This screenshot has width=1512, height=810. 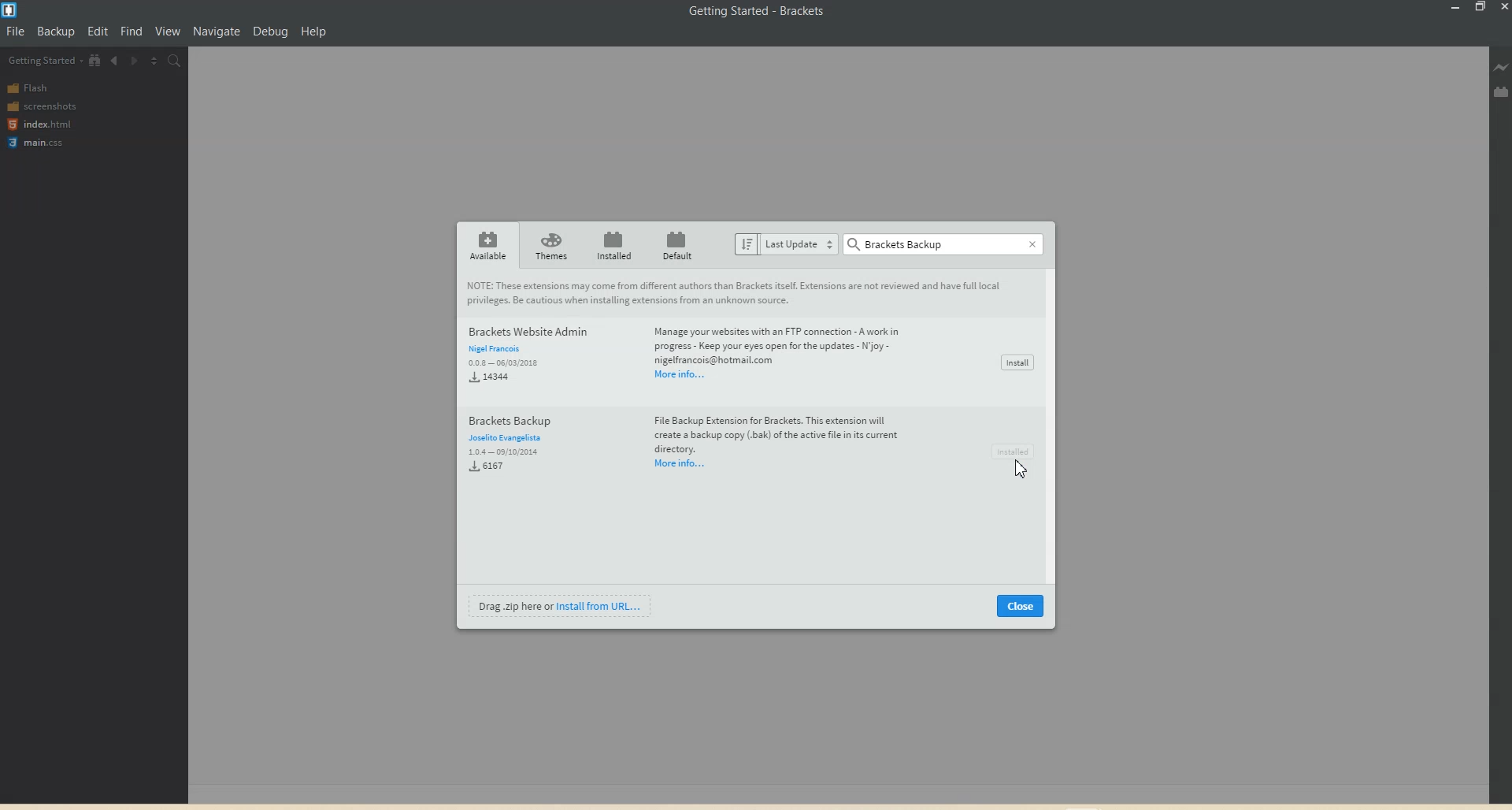 I want to click on View, so click(x=169, y=31).